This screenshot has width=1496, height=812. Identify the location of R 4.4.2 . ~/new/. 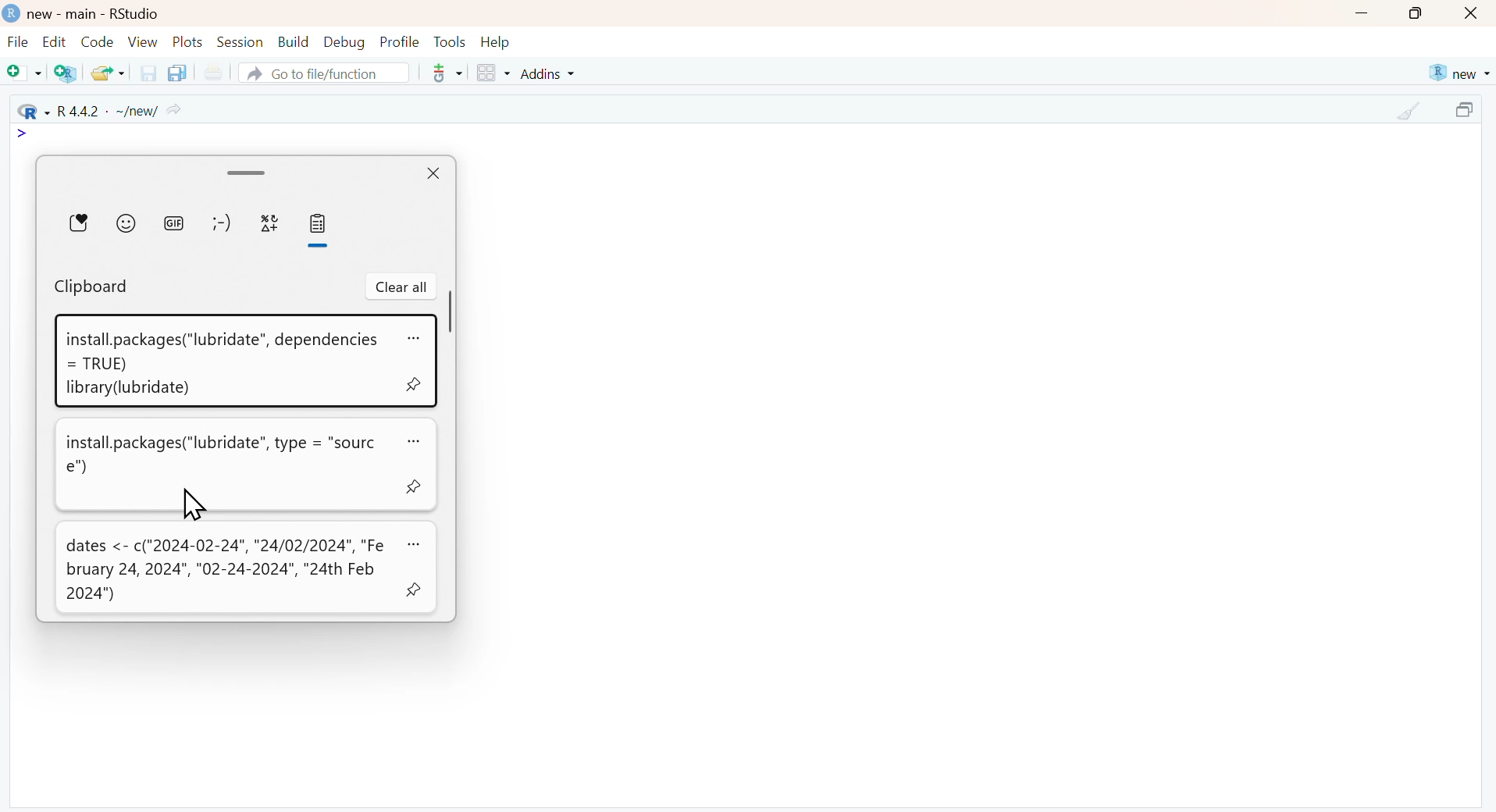
(101, 110).